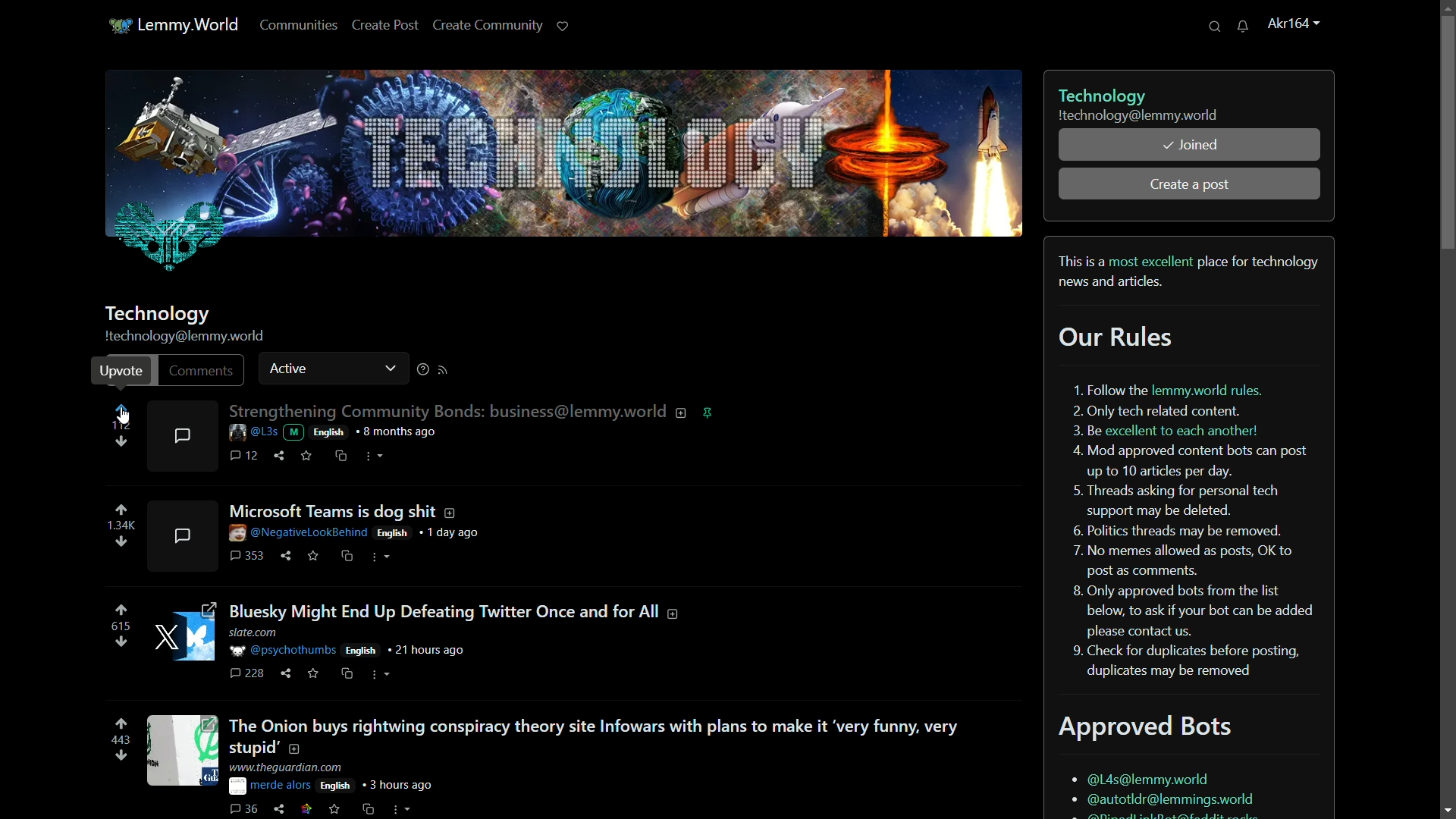  Describe the element at coordinates (490, 27) in the screenshot. I see `create community` at that location.